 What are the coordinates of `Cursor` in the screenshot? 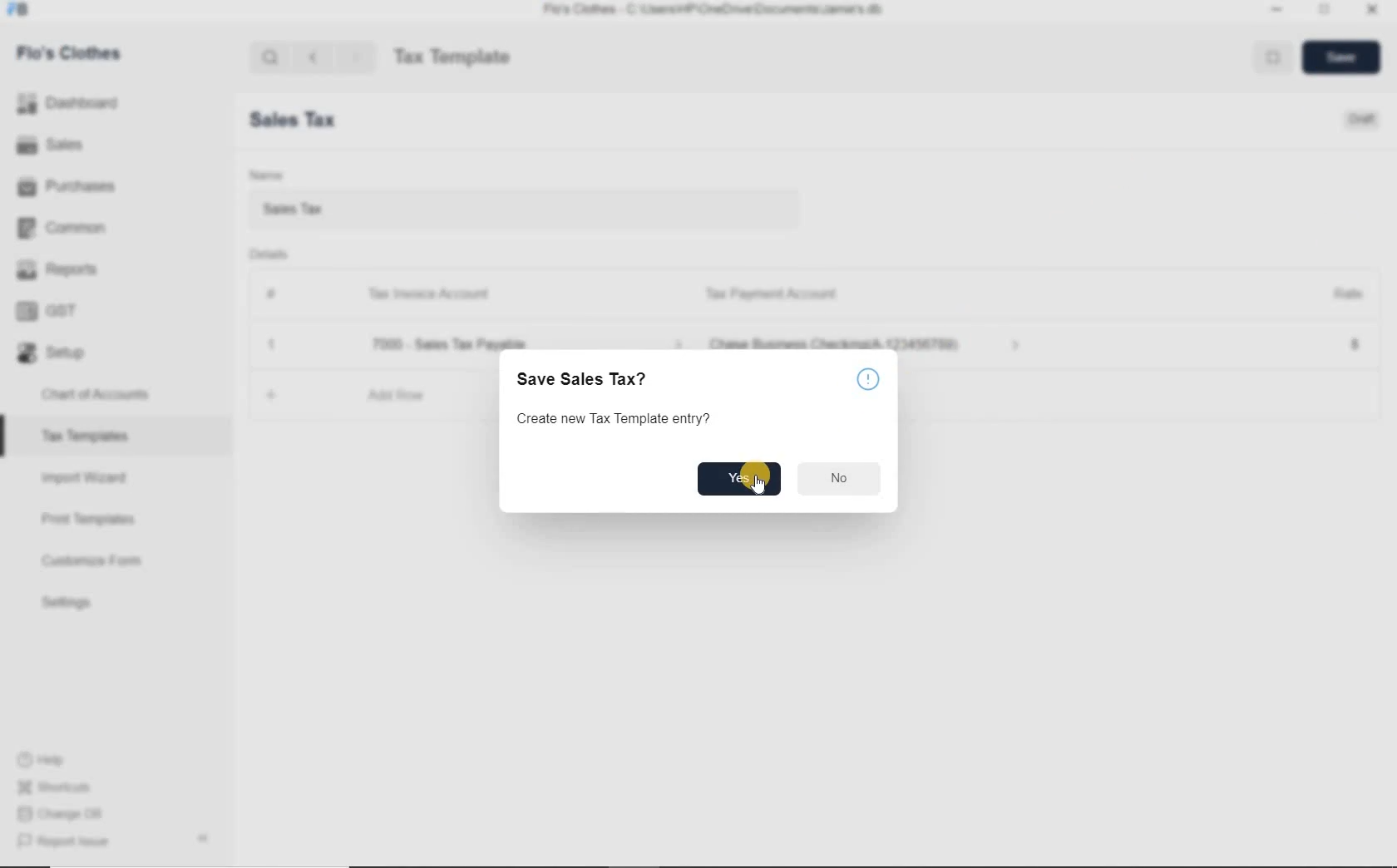 It's located at (759, 486).